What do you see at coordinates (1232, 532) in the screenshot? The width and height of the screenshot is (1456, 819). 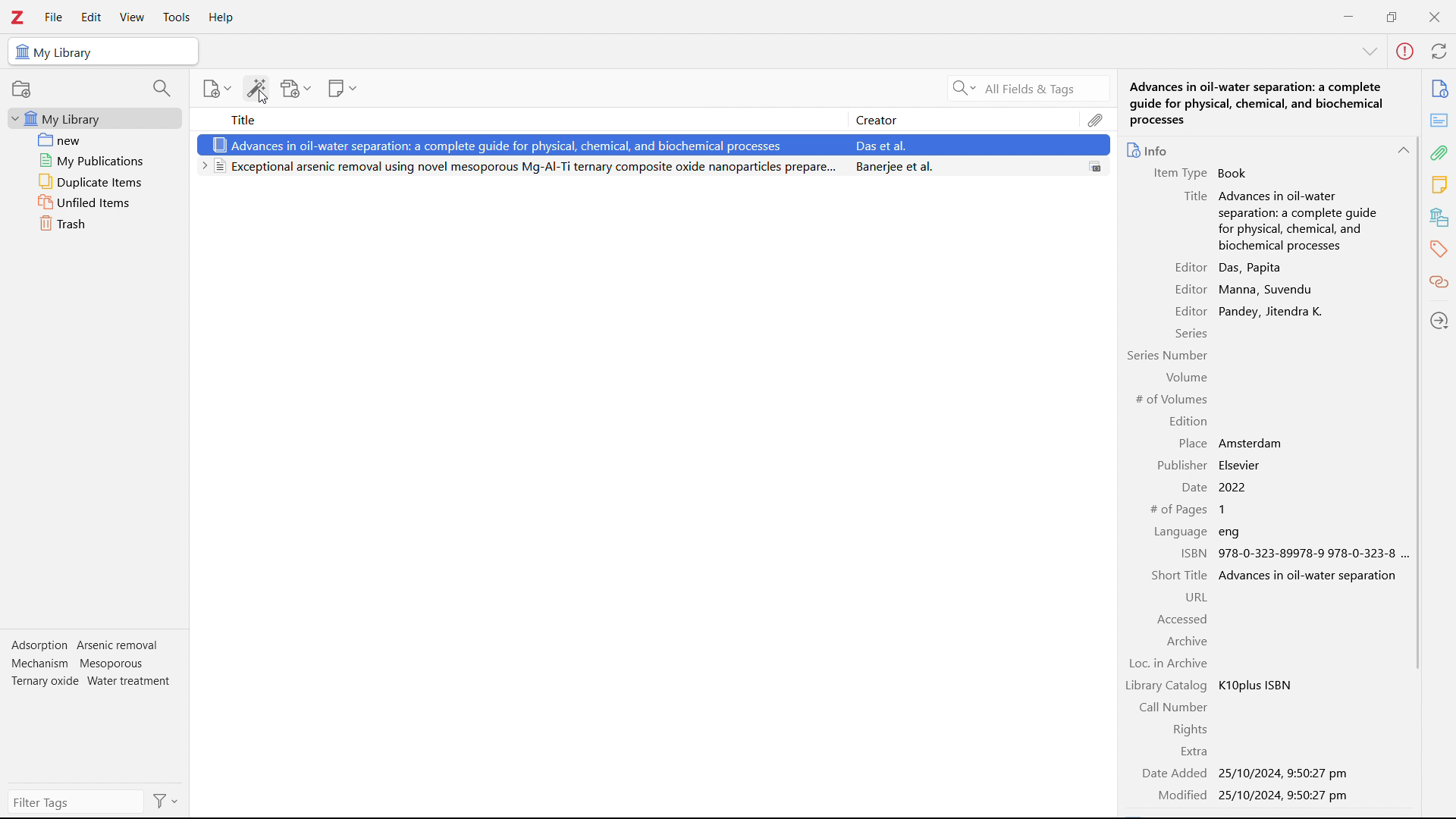 I see `Eng` at bounding box center [1232, 532].